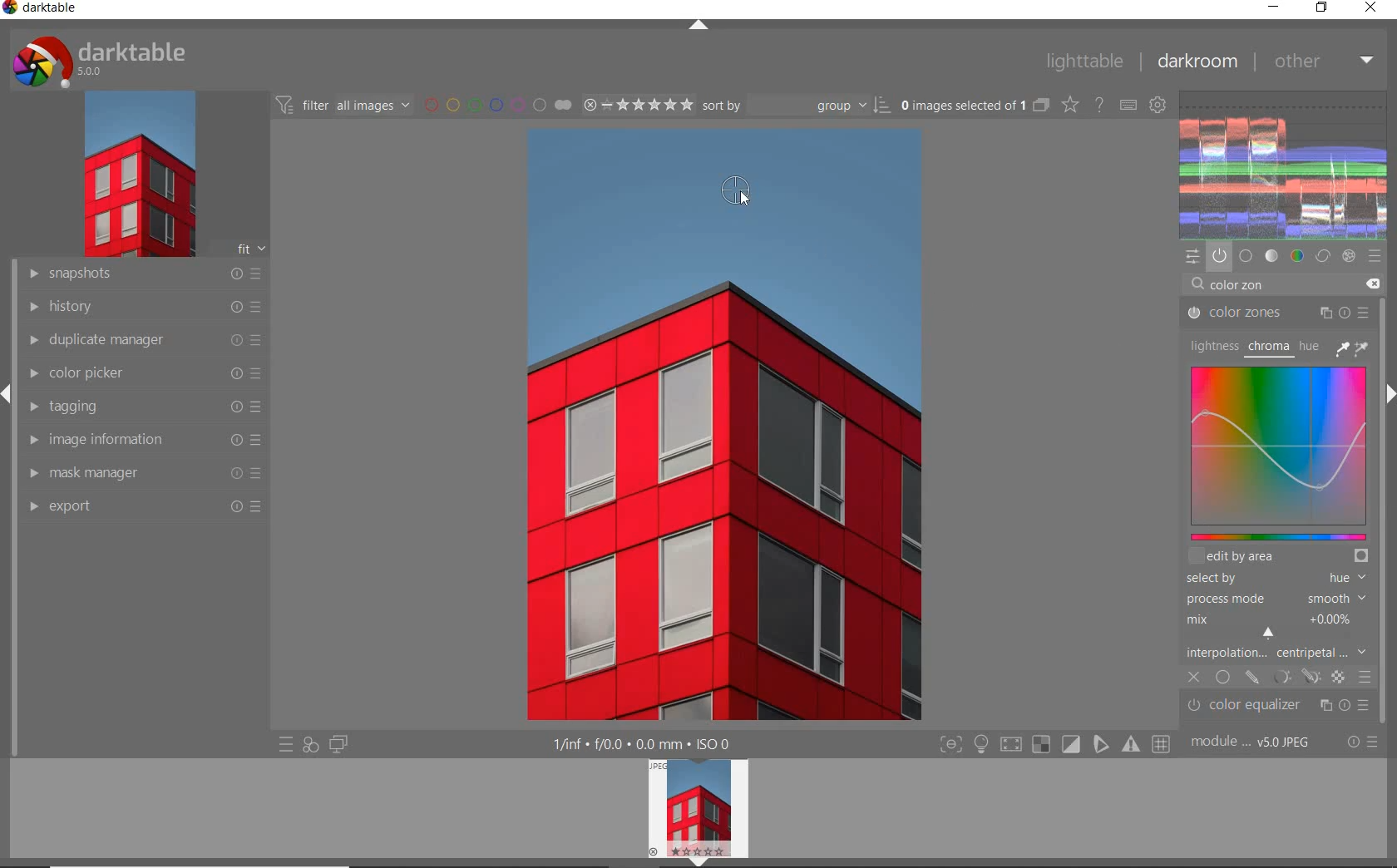  What do you see at coordinates (1267, 348) in the screenshot?
I see `CHROMA` at bounding box center [1267, 348].